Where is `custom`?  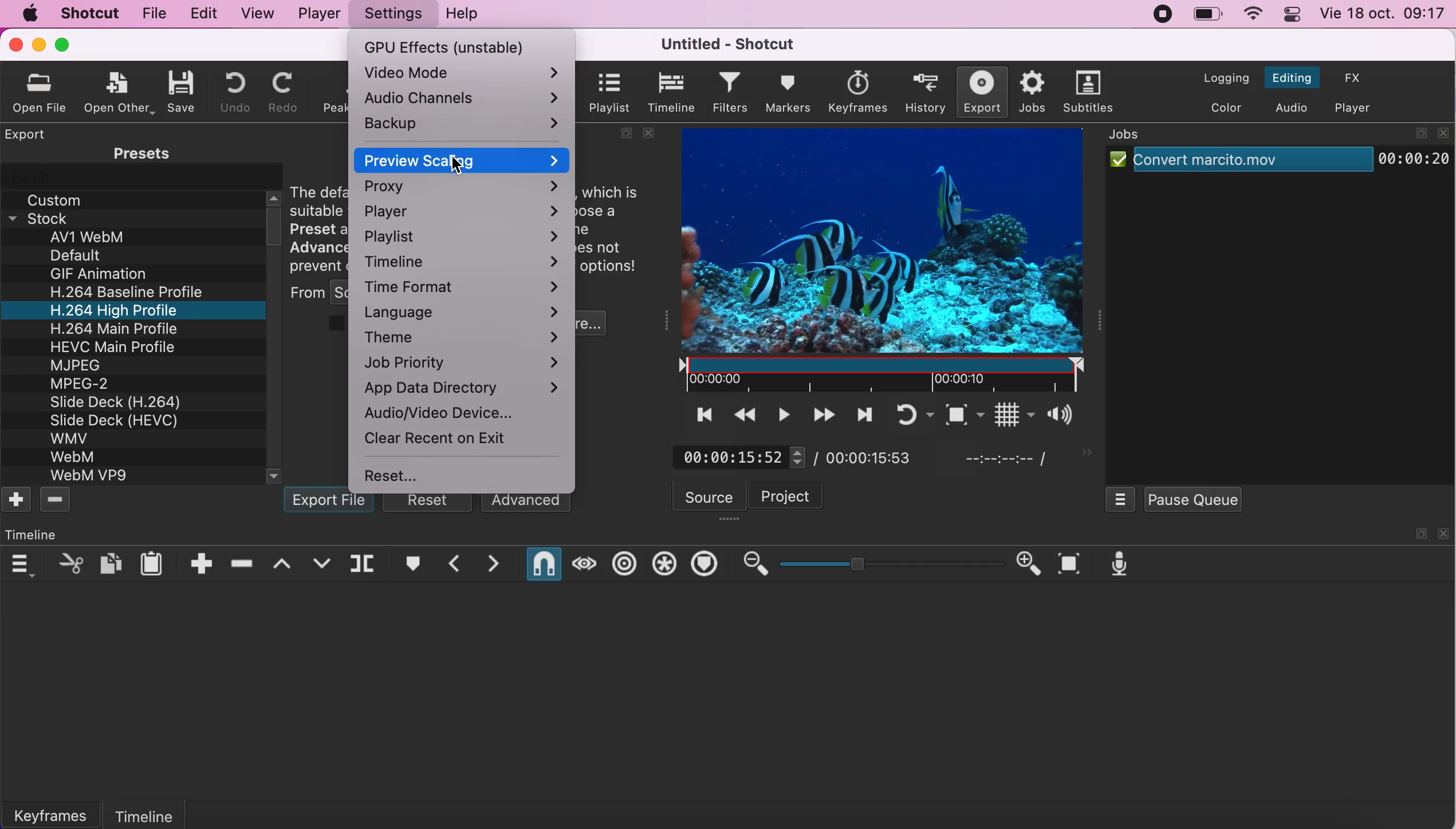
custom is located at coordinates (59, 198).